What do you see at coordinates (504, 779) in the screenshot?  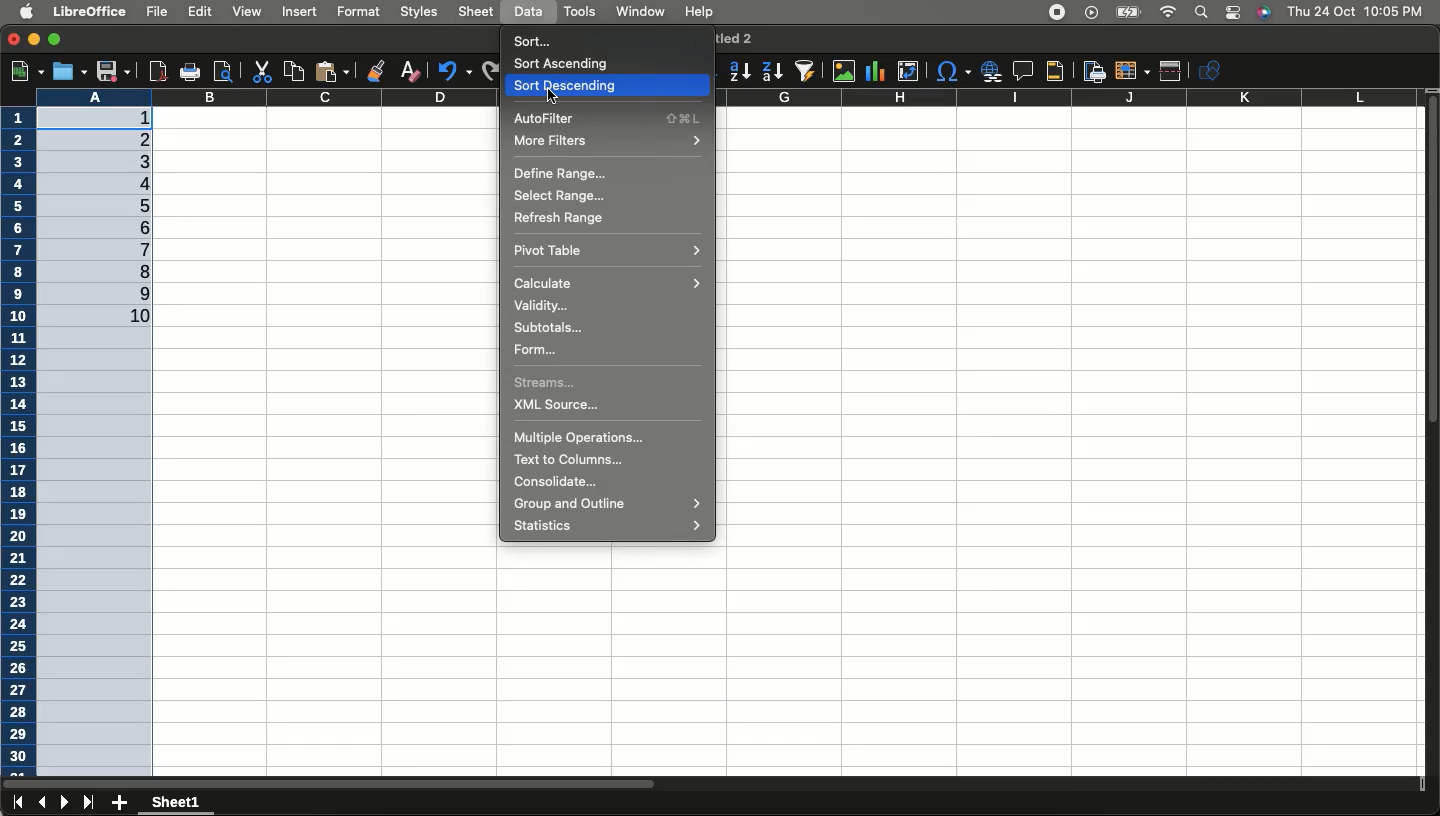 I see `Horizontal Scroll bar` at bounding box center [504, 779].